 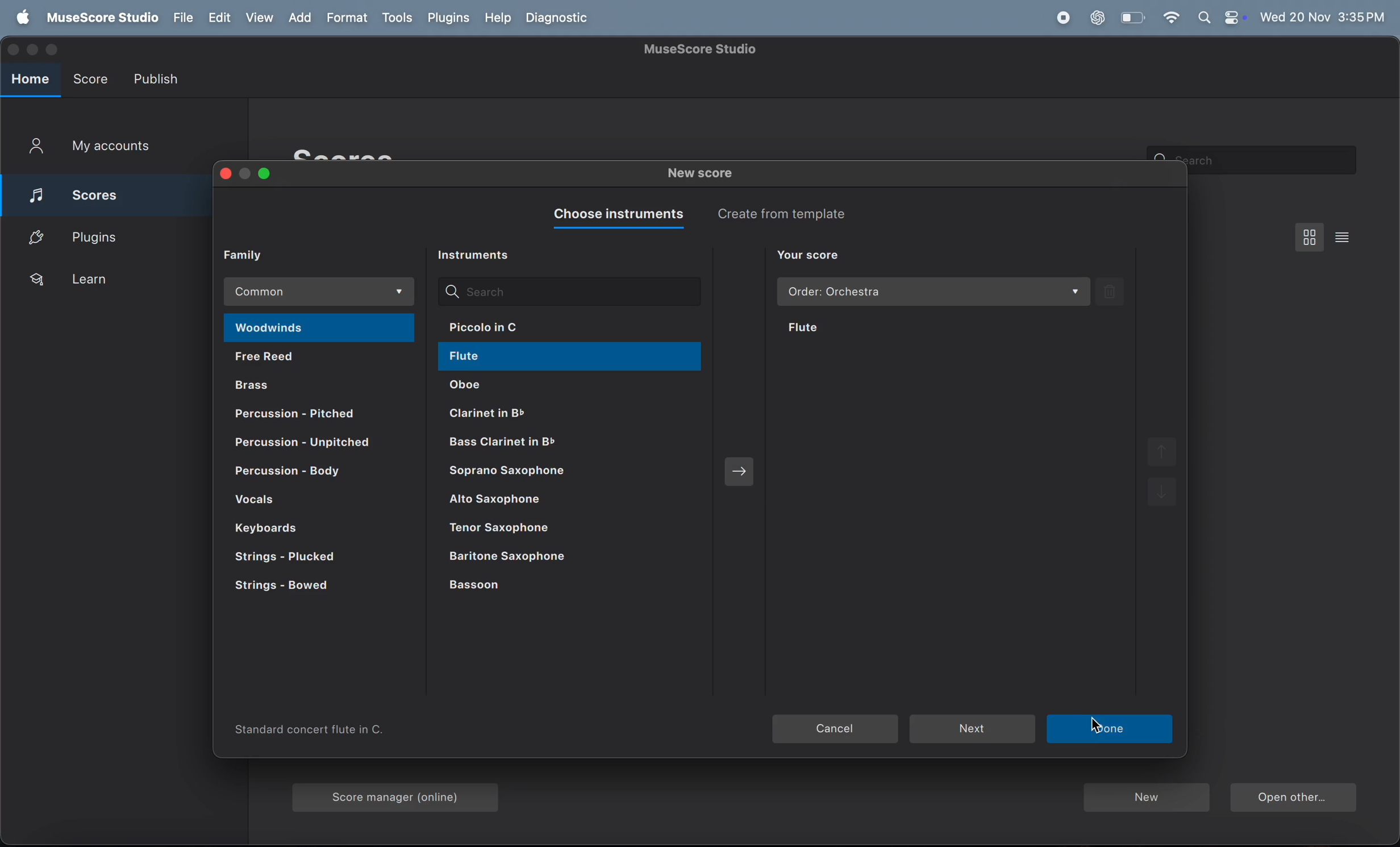 What do you see at coordinates (972, 728) in the screenshot?
I see `next` at bounding box center [972, 728].